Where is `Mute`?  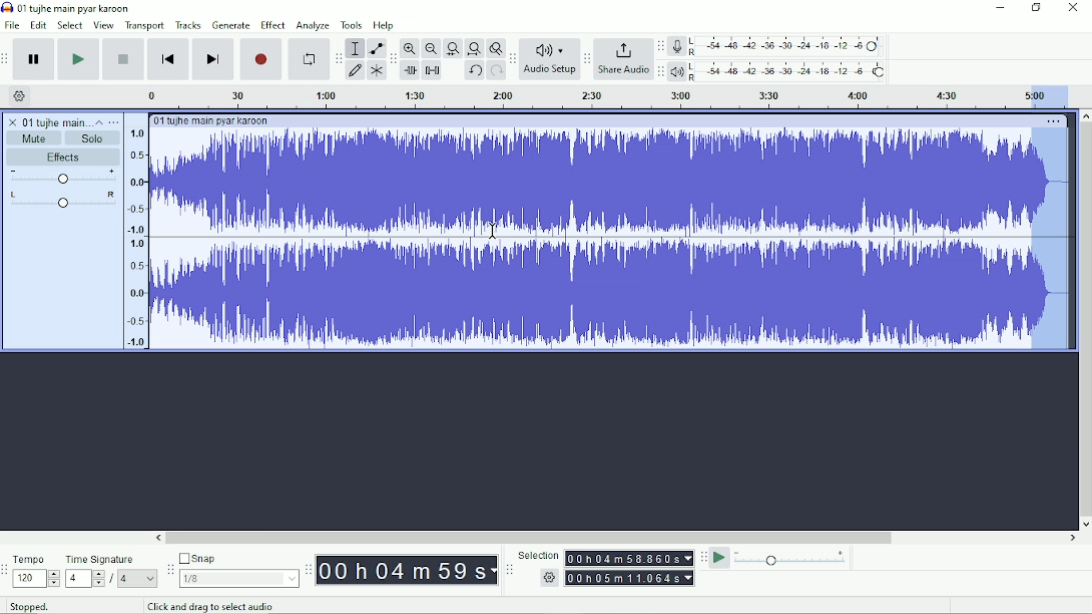
Mute is located at coordinates (34, 139).